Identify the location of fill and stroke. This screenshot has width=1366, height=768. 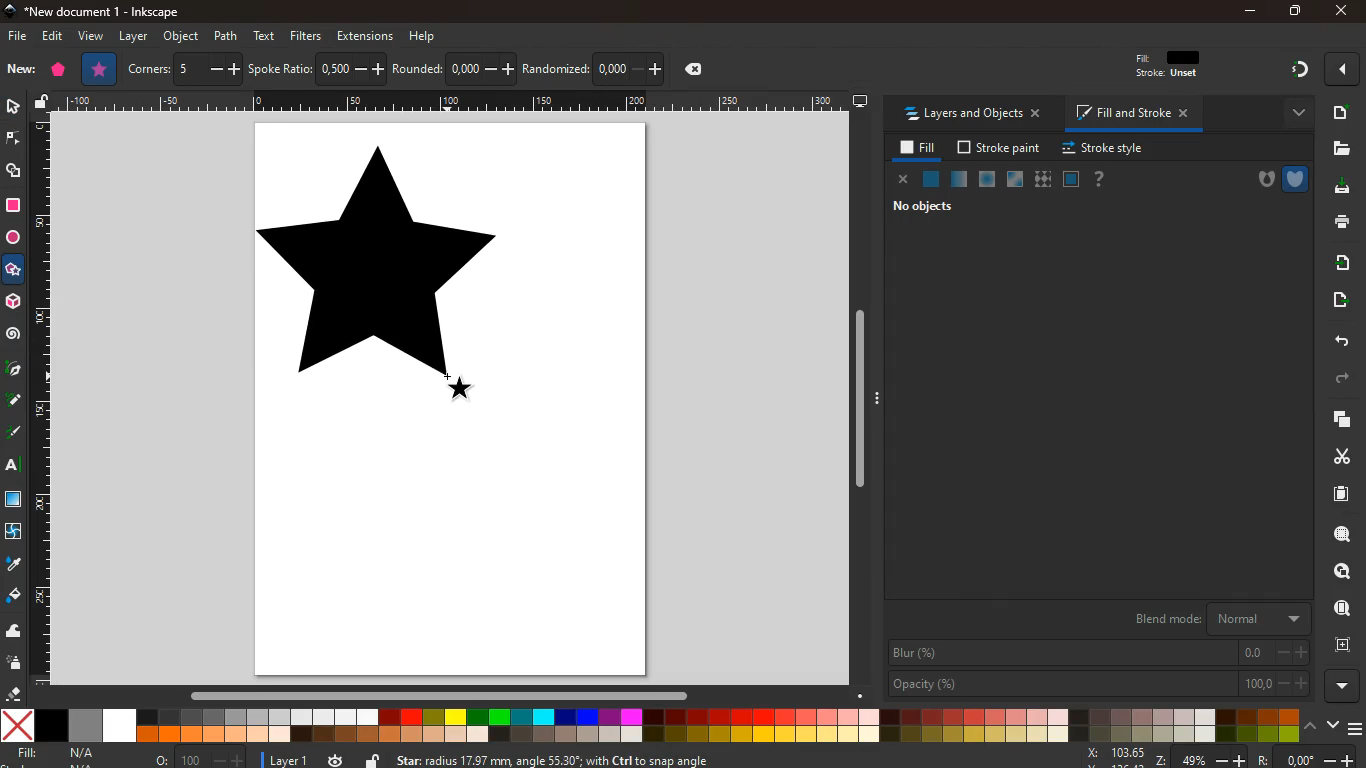
(1128, 115).